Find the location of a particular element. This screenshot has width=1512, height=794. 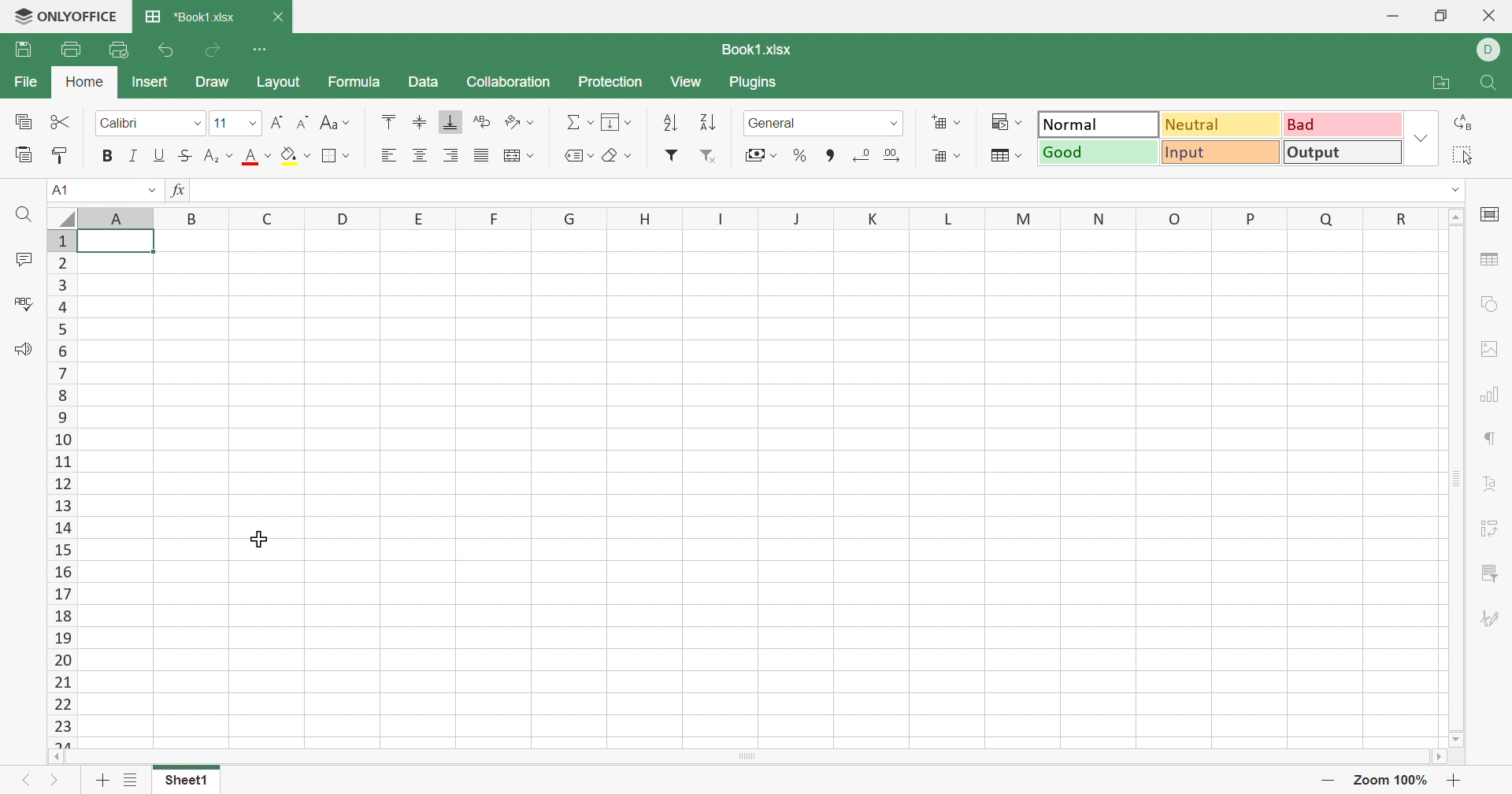

Italic is located at coordinates (135, 154).